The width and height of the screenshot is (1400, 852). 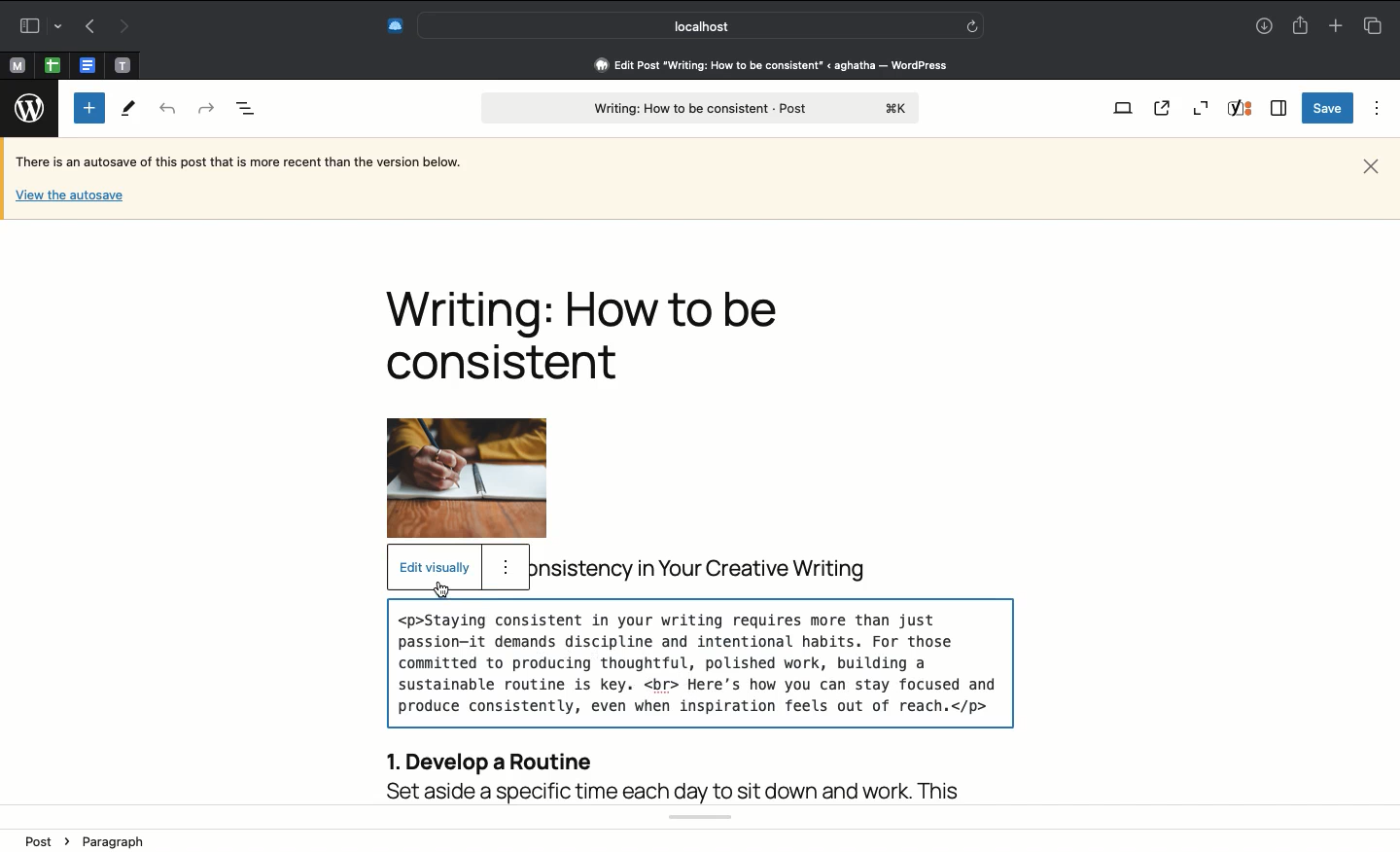 What do you see at coordinates (126, 25) in the screenshot?
I see `Next page` at bounding box center [126, 25].